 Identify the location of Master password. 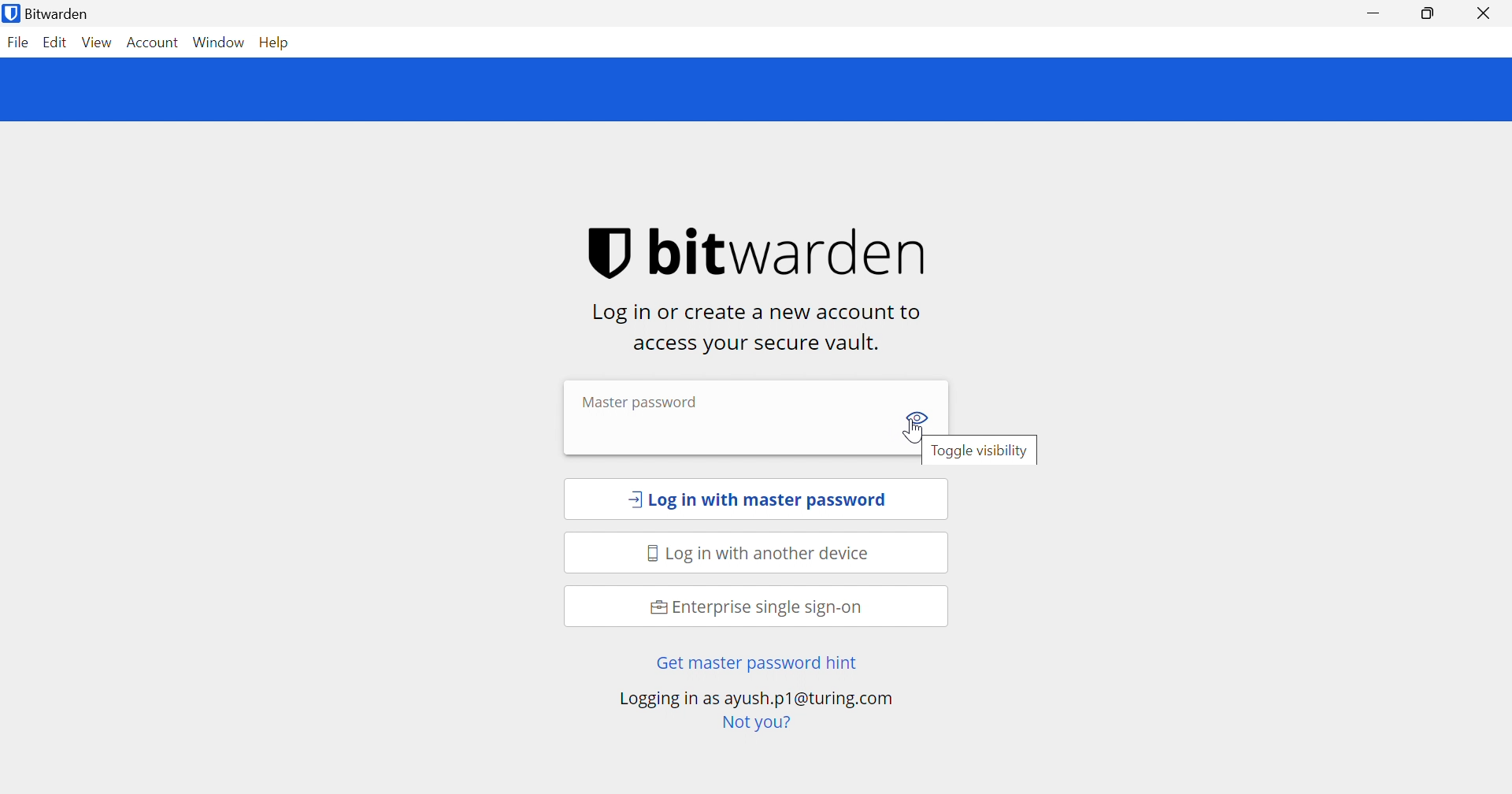
(639, 400).